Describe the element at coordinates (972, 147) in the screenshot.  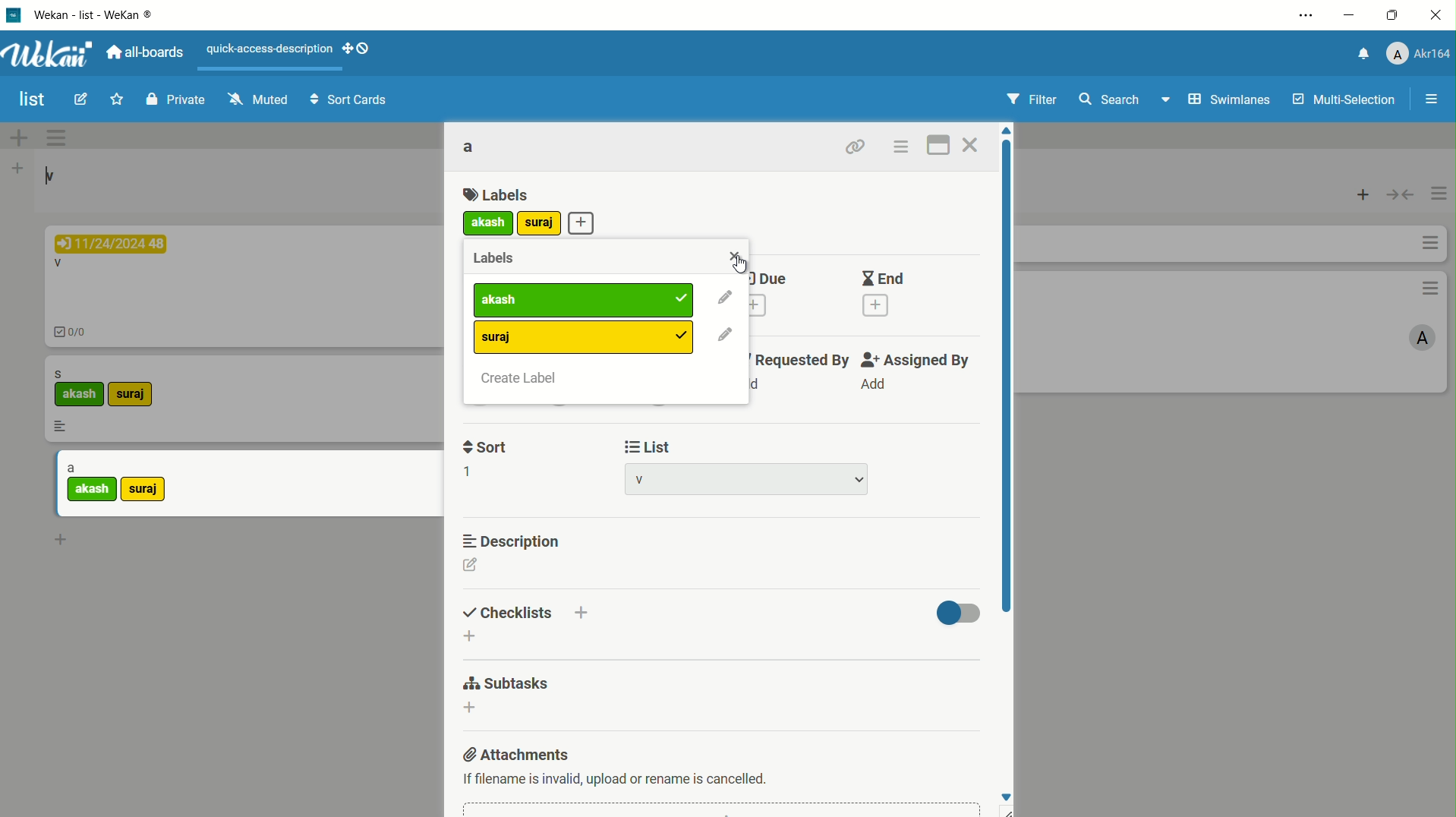
I see `close card` at that location.